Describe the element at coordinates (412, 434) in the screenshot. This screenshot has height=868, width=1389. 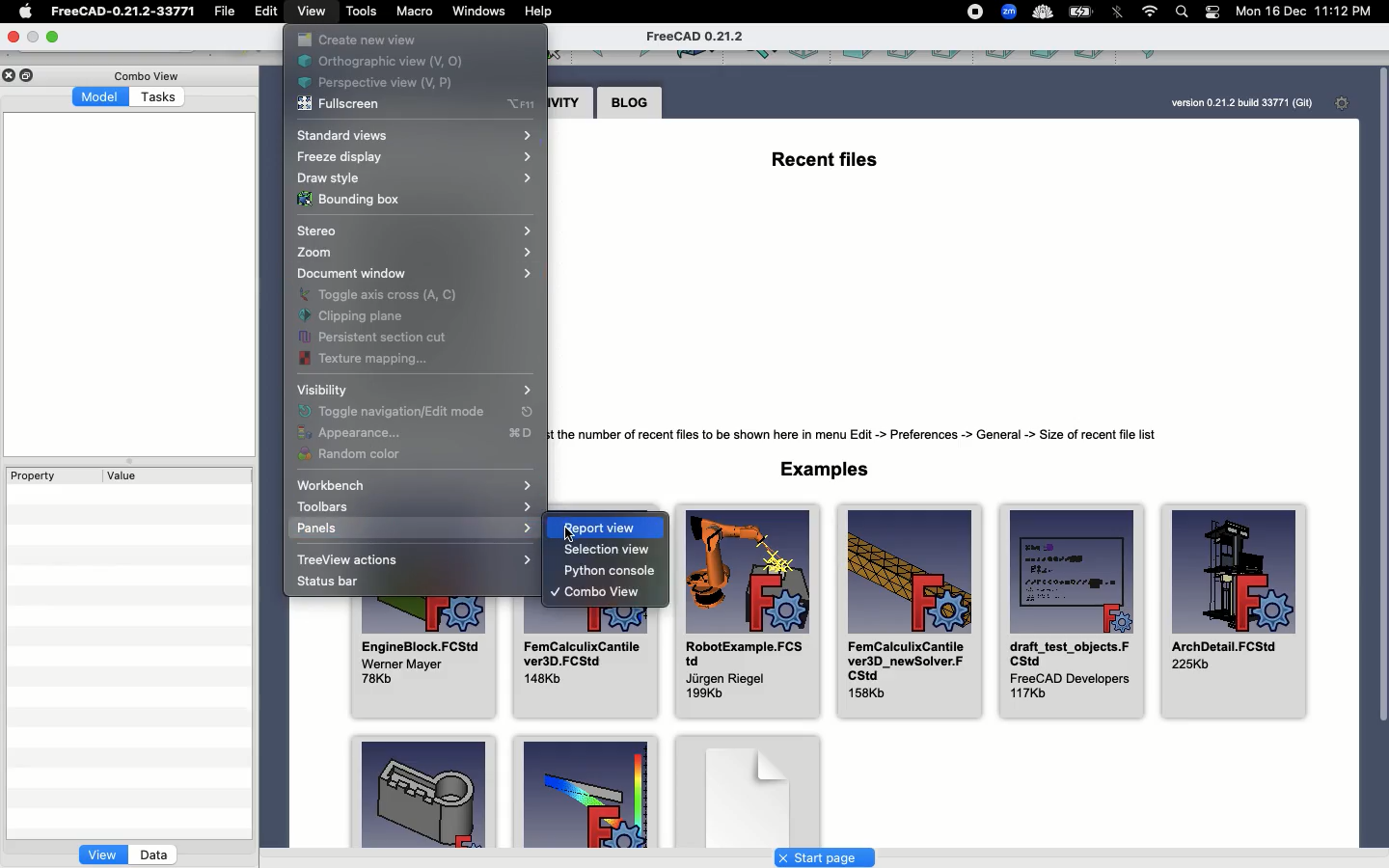
I see `Appearance ` at that location.